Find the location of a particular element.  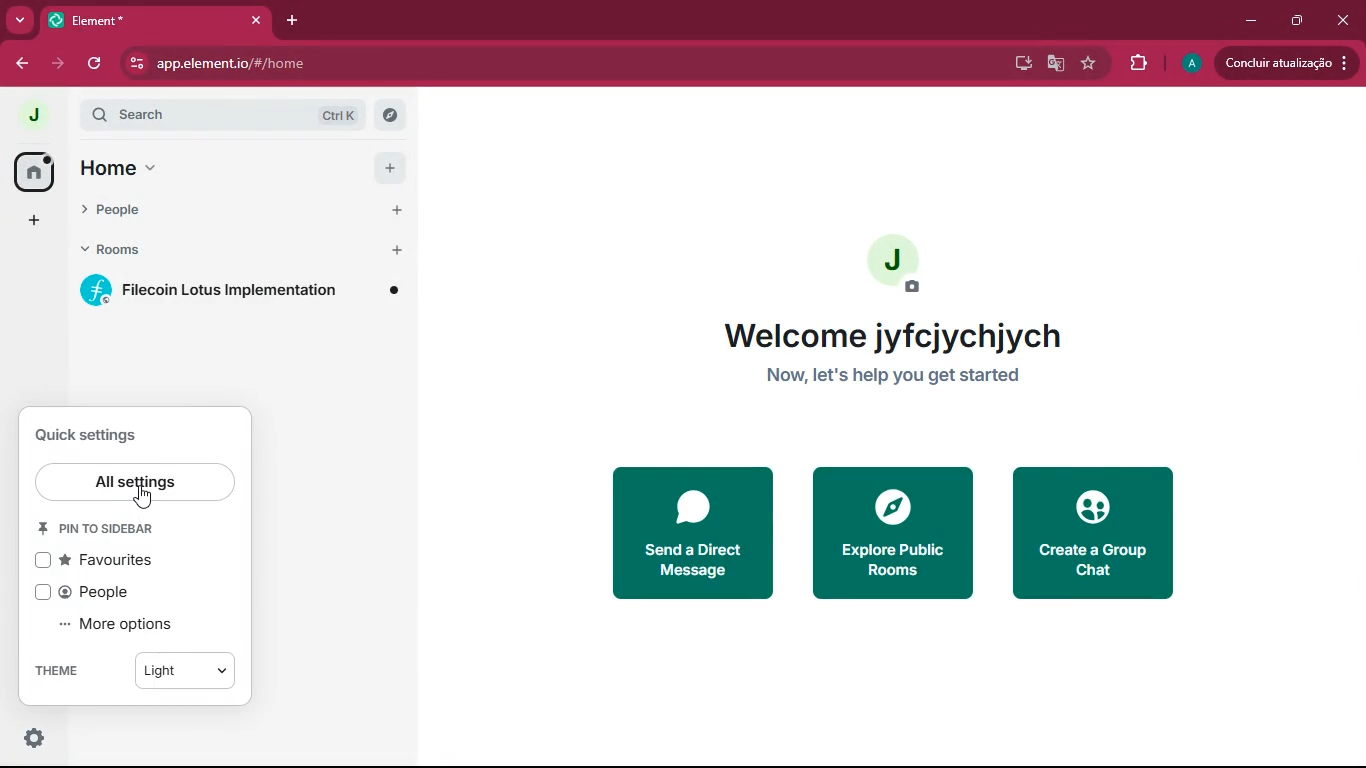

maximize is located at coordinates (1293, 21).